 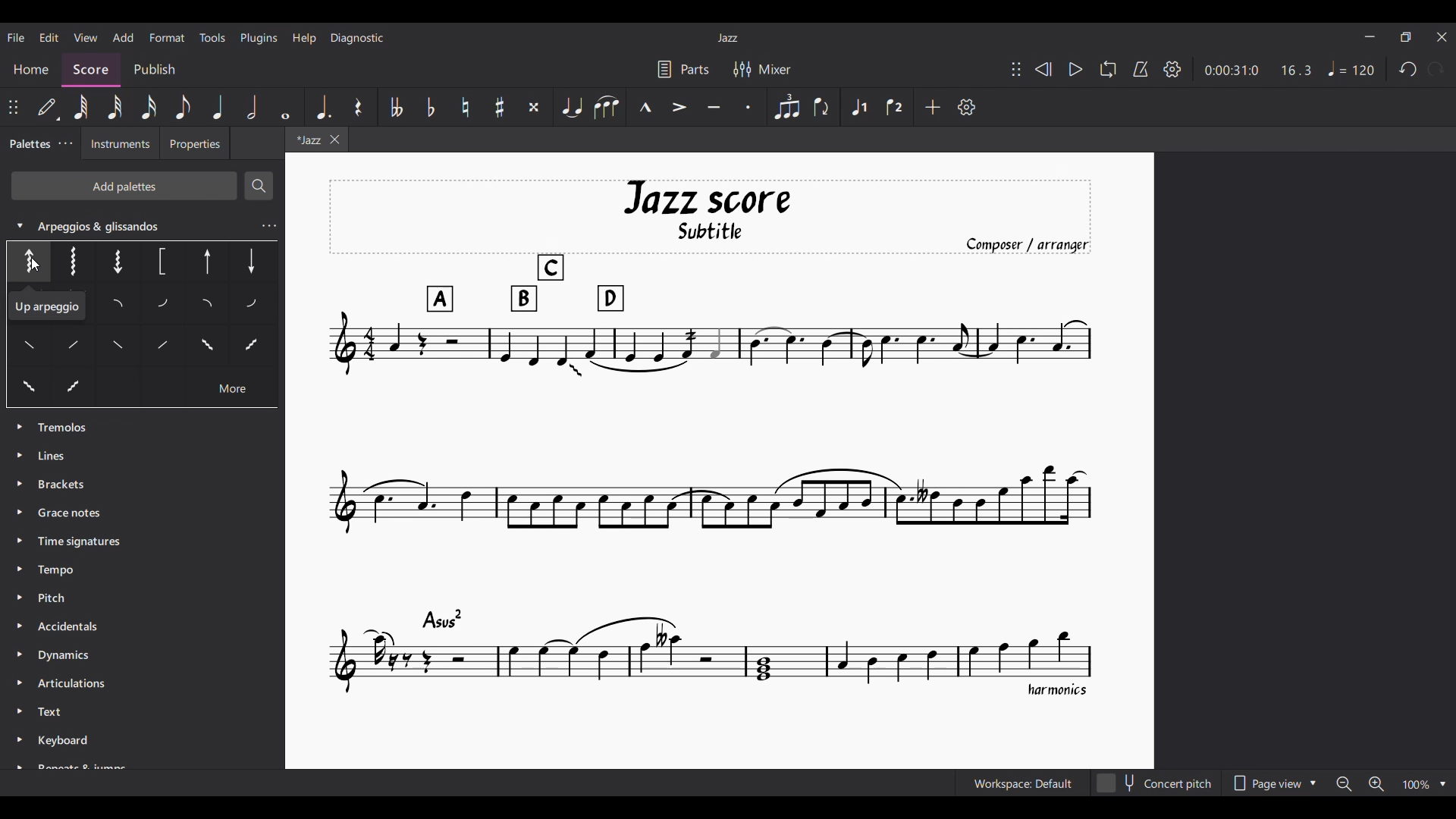 I want to click on Score, current section highlighted, so click(x=89, y=66).